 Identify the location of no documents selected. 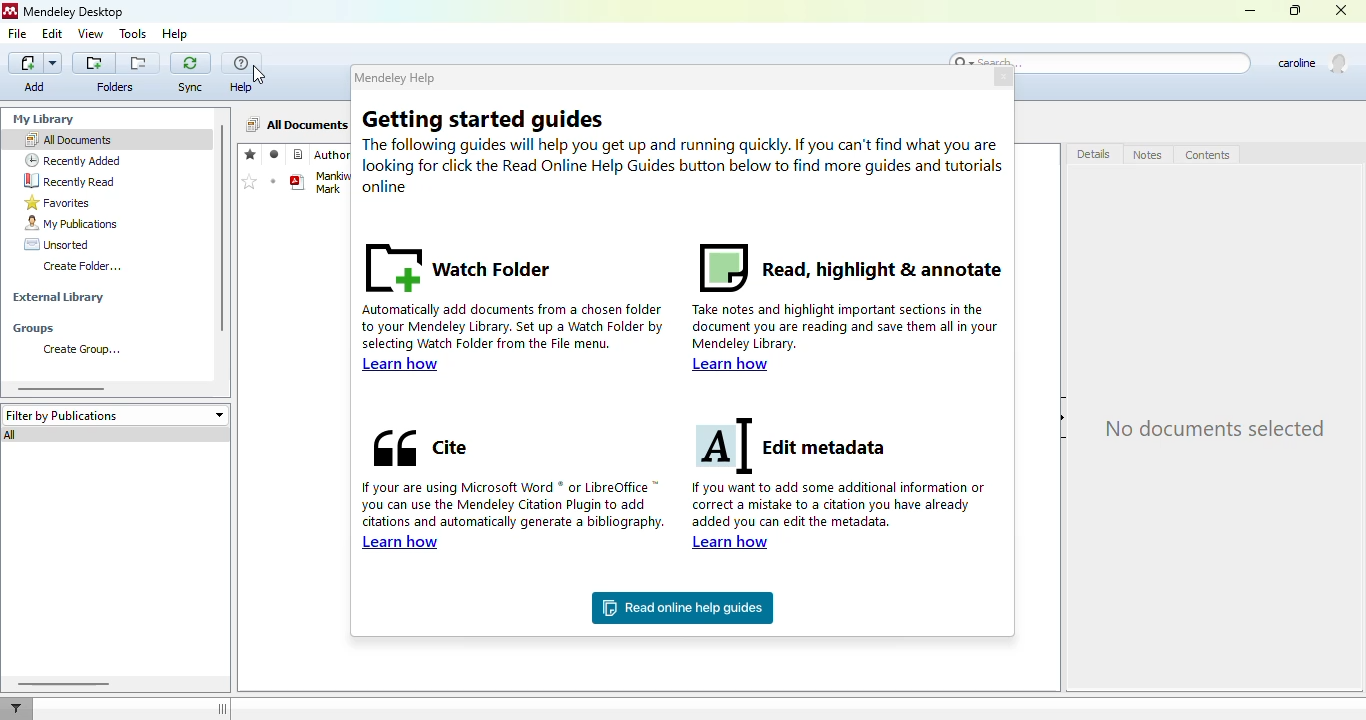
(1216, 428).